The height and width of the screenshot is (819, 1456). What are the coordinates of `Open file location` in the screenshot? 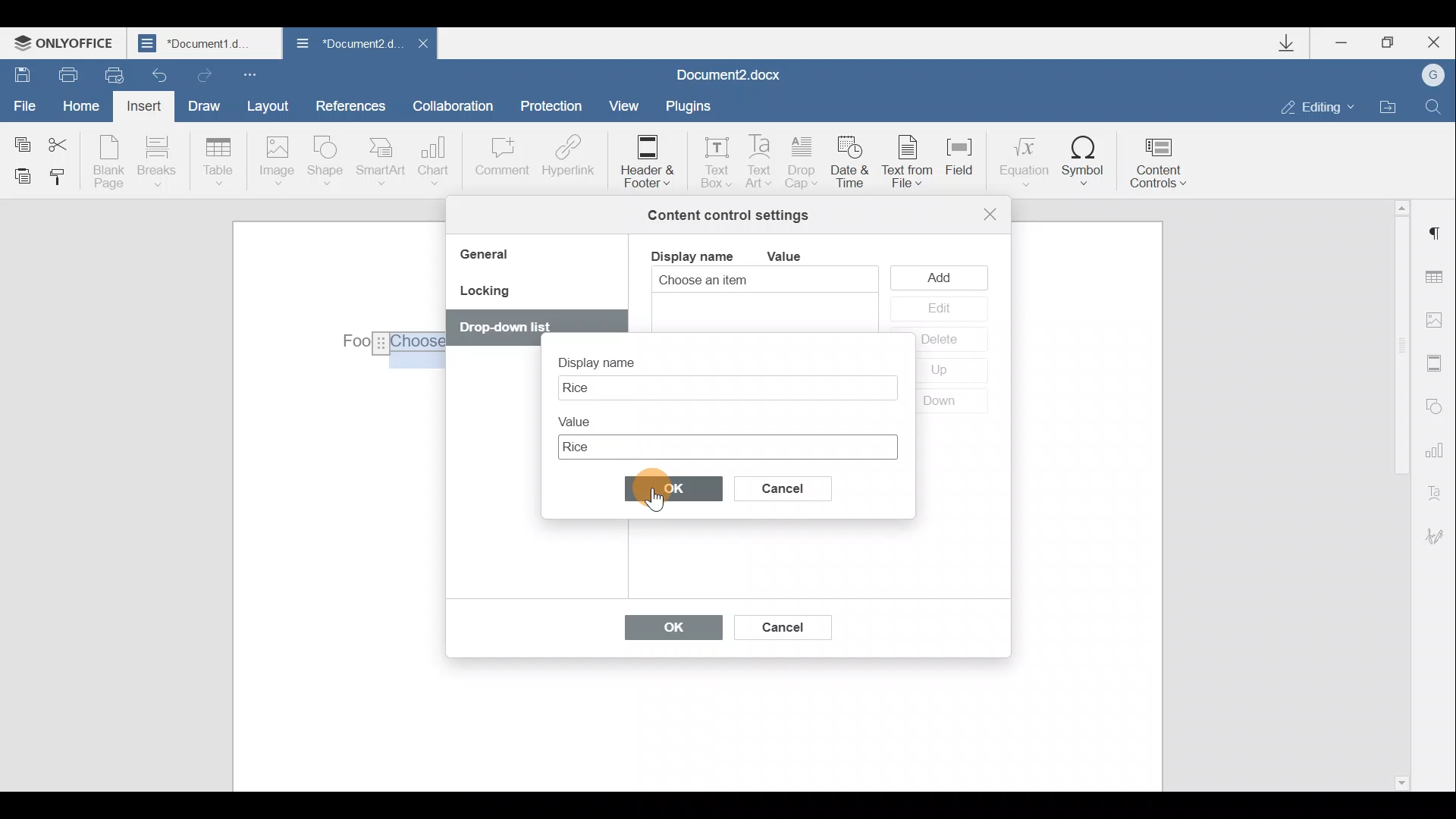 It's located at (1388, 105).